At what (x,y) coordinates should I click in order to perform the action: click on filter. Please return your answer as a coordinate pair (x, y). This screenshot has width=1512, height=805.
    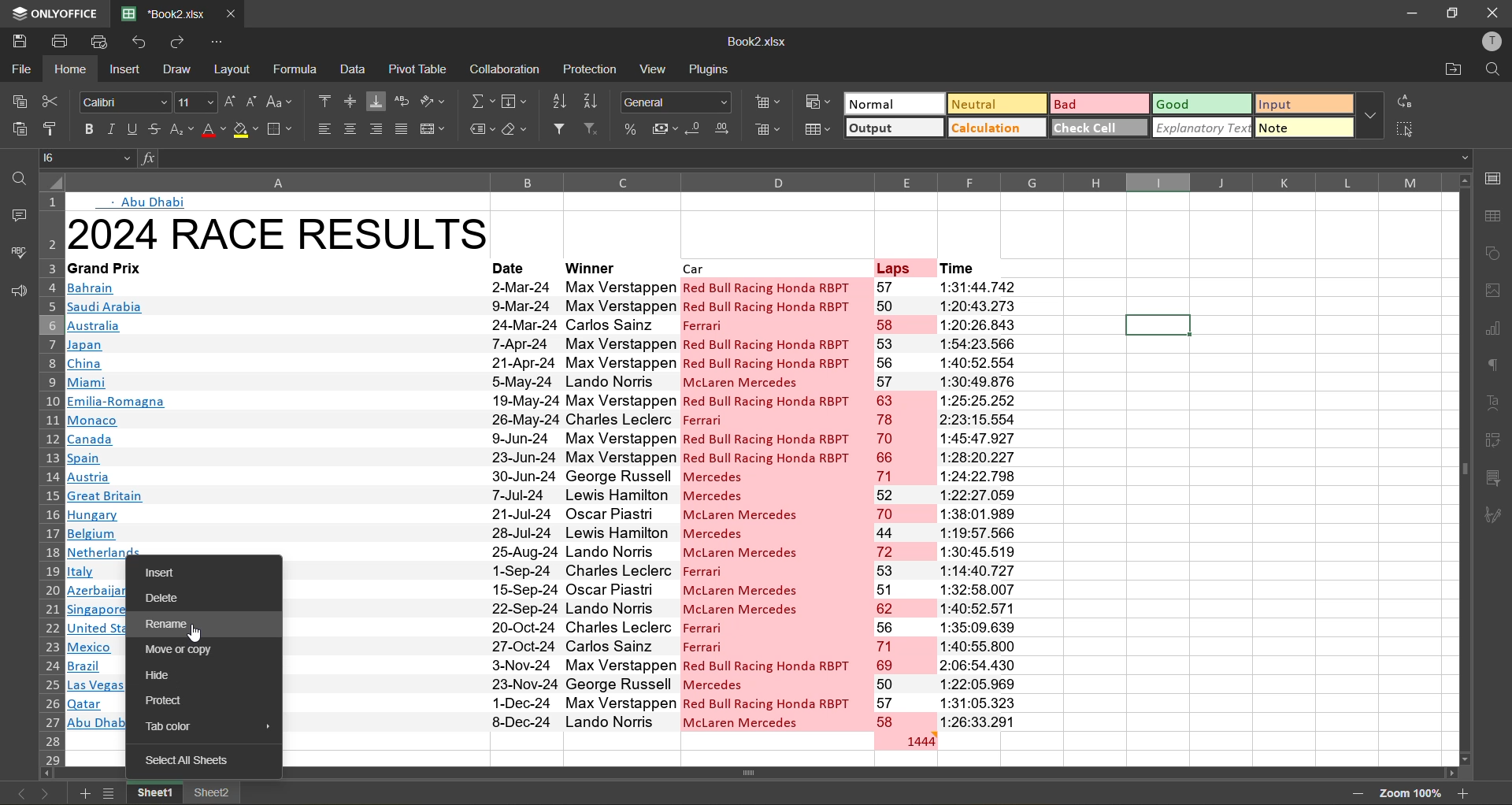
    Looking at the image, I should click on (561, 129).